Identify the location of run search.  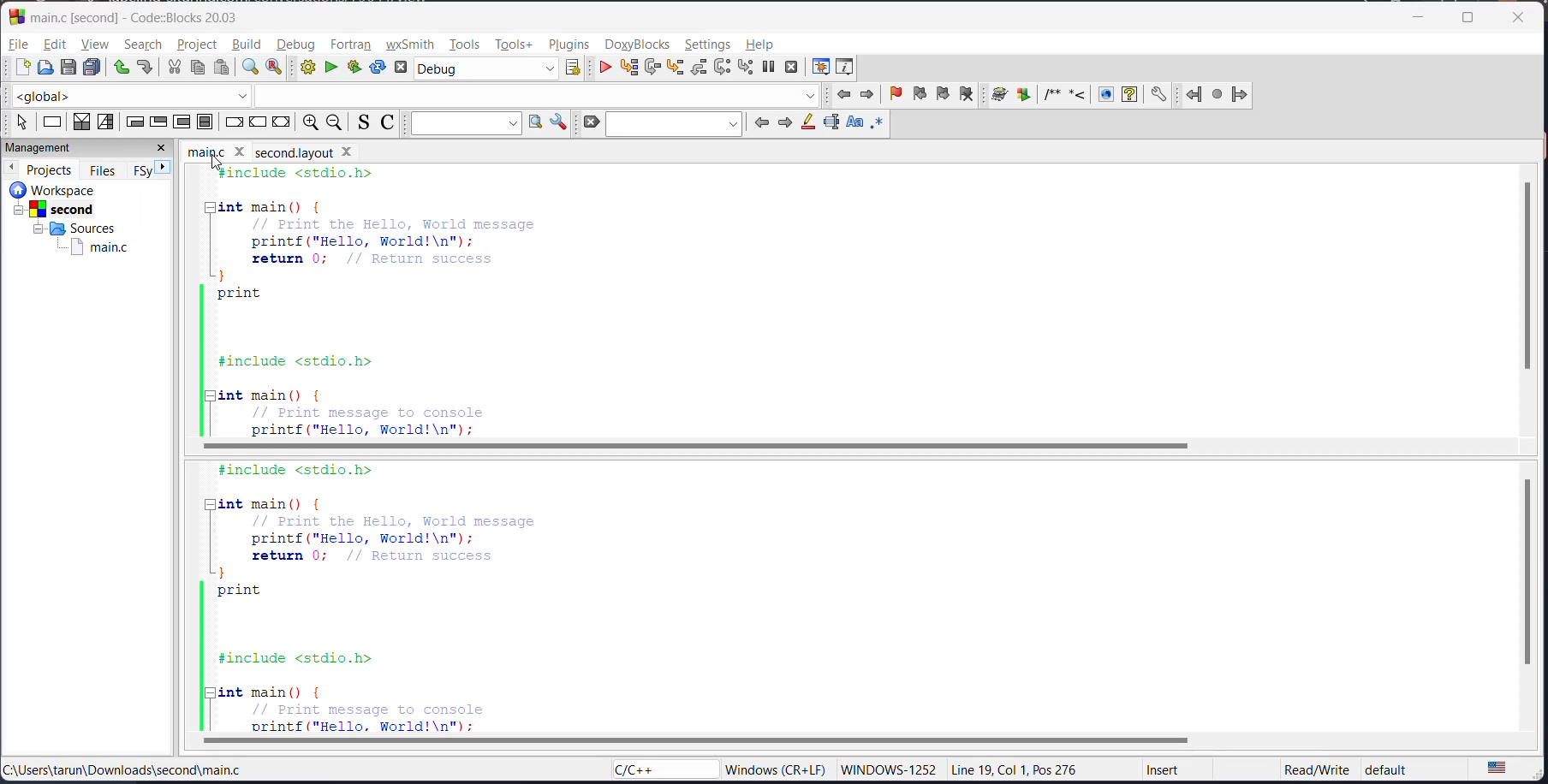
(536, 124).